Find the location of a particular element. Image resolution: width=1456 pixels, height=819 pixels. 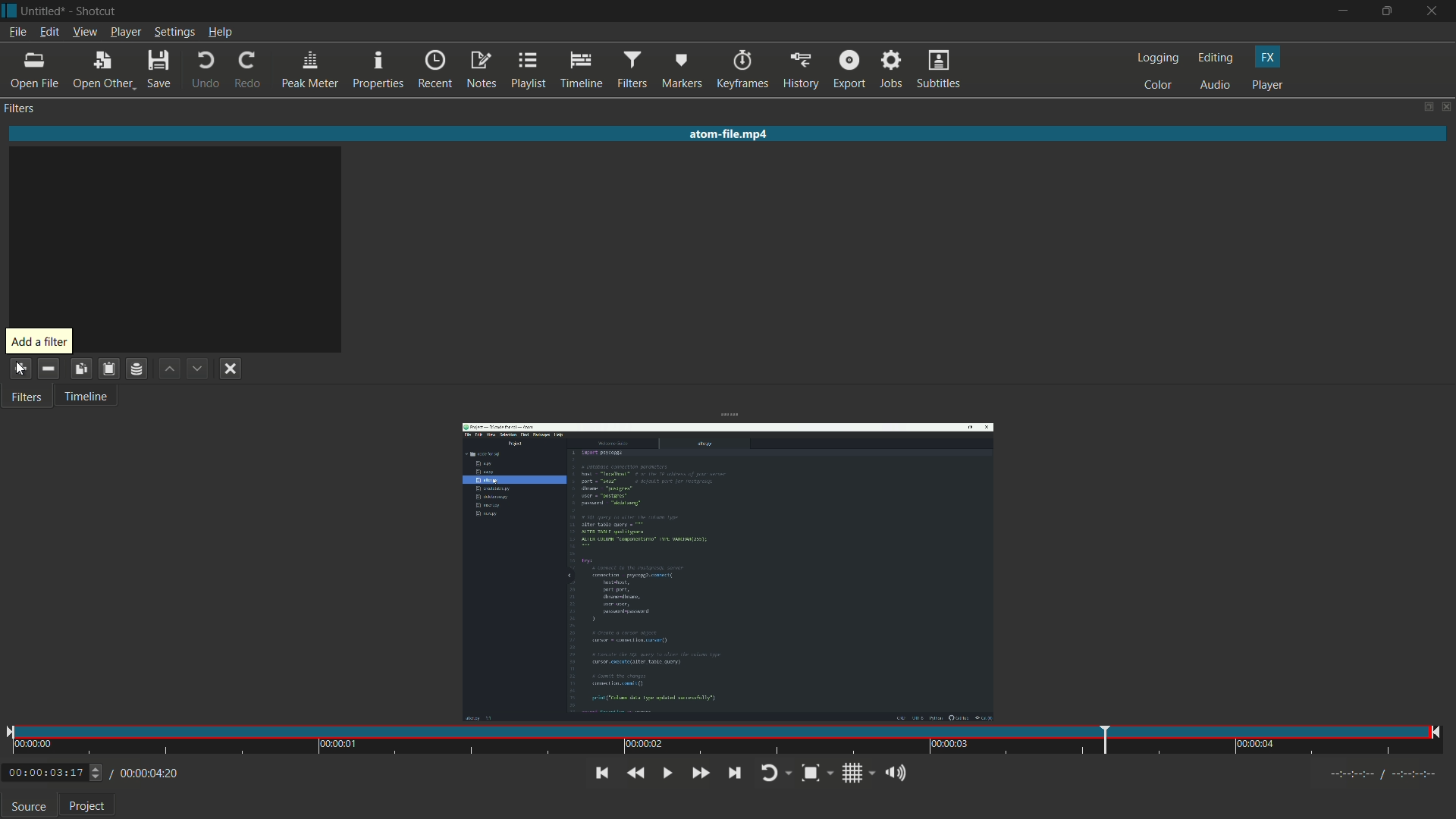

jobs is located at coordinates (890, 71).